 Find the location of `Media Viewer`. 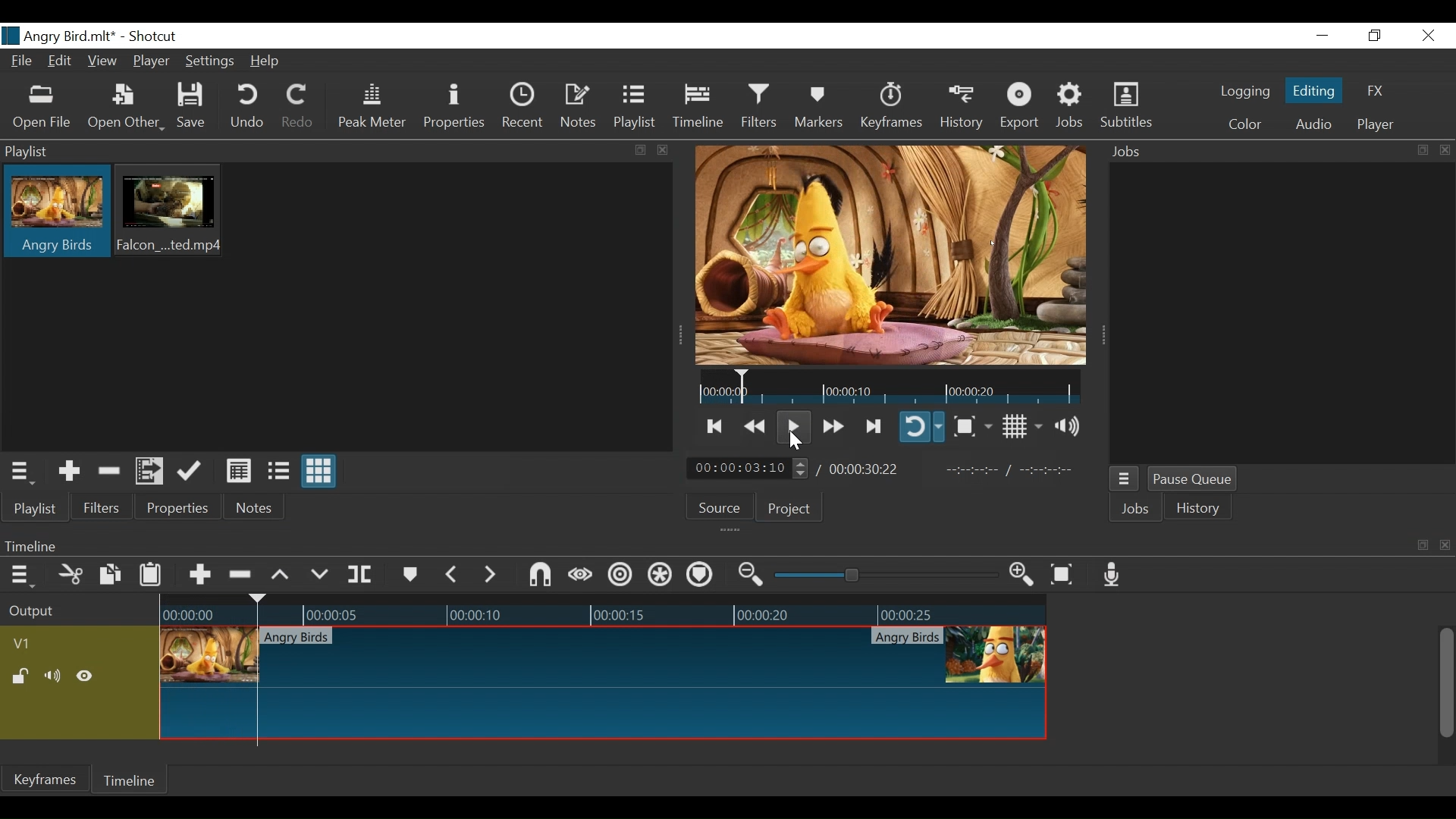

Media Viewer is located at coordinates (893, 256).